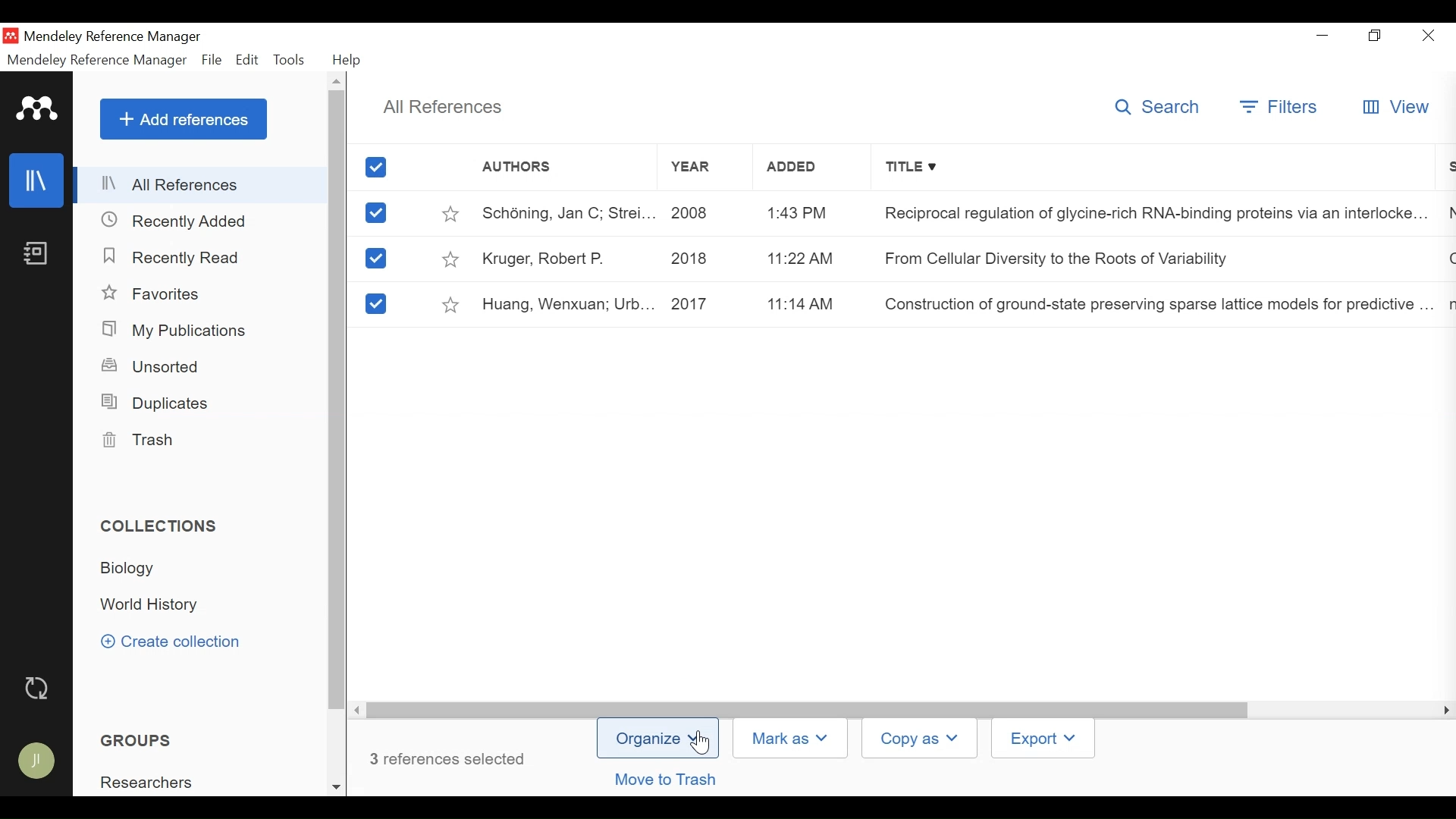 The width and height of the screenshot is (1456, 819). I want to click on Export, so click(1041, 739).